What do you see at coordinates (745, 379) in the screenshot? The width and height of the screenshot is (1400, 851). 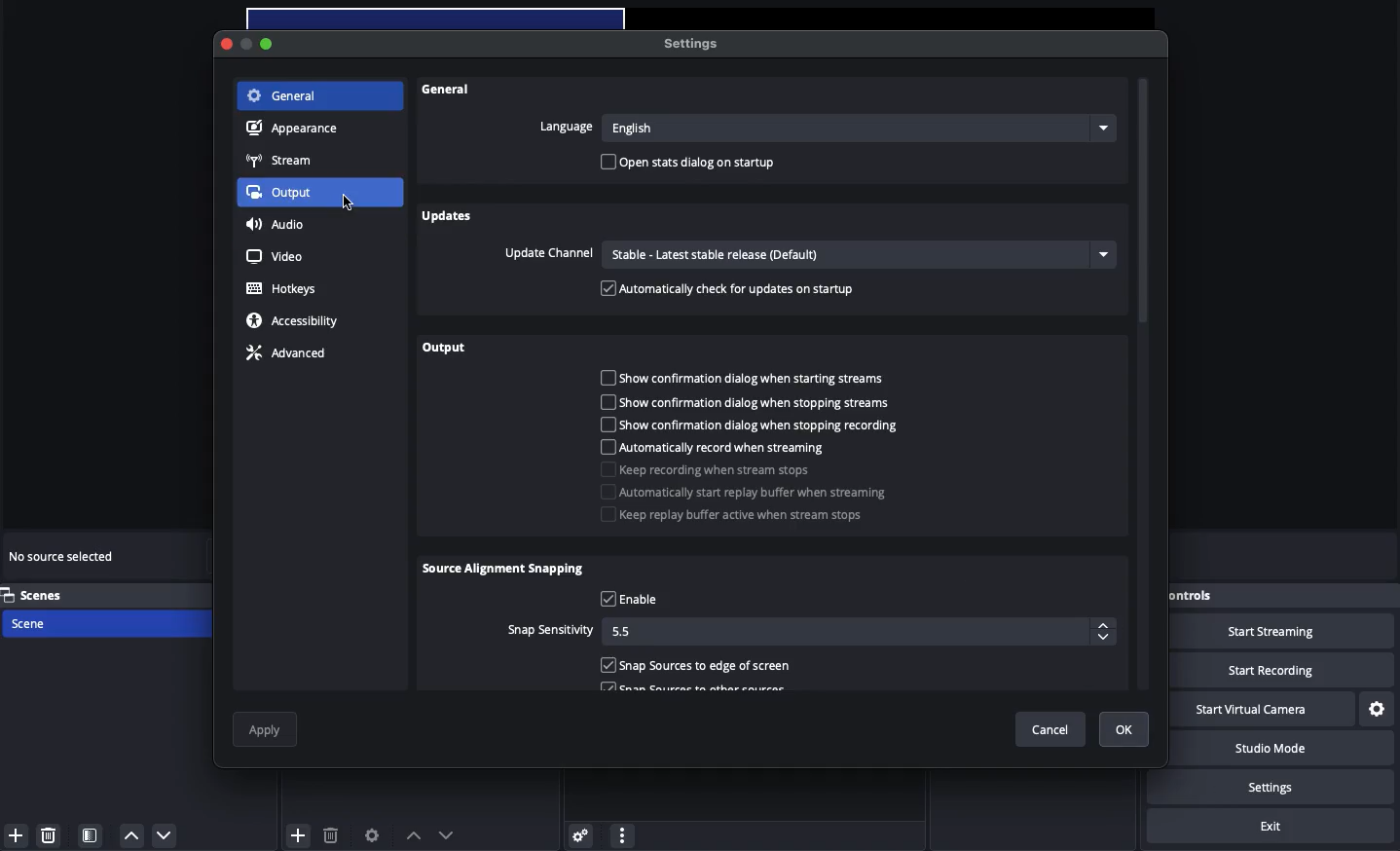 I see `Show confirmation dialog when starting streams` at bounding box center [745, 379].